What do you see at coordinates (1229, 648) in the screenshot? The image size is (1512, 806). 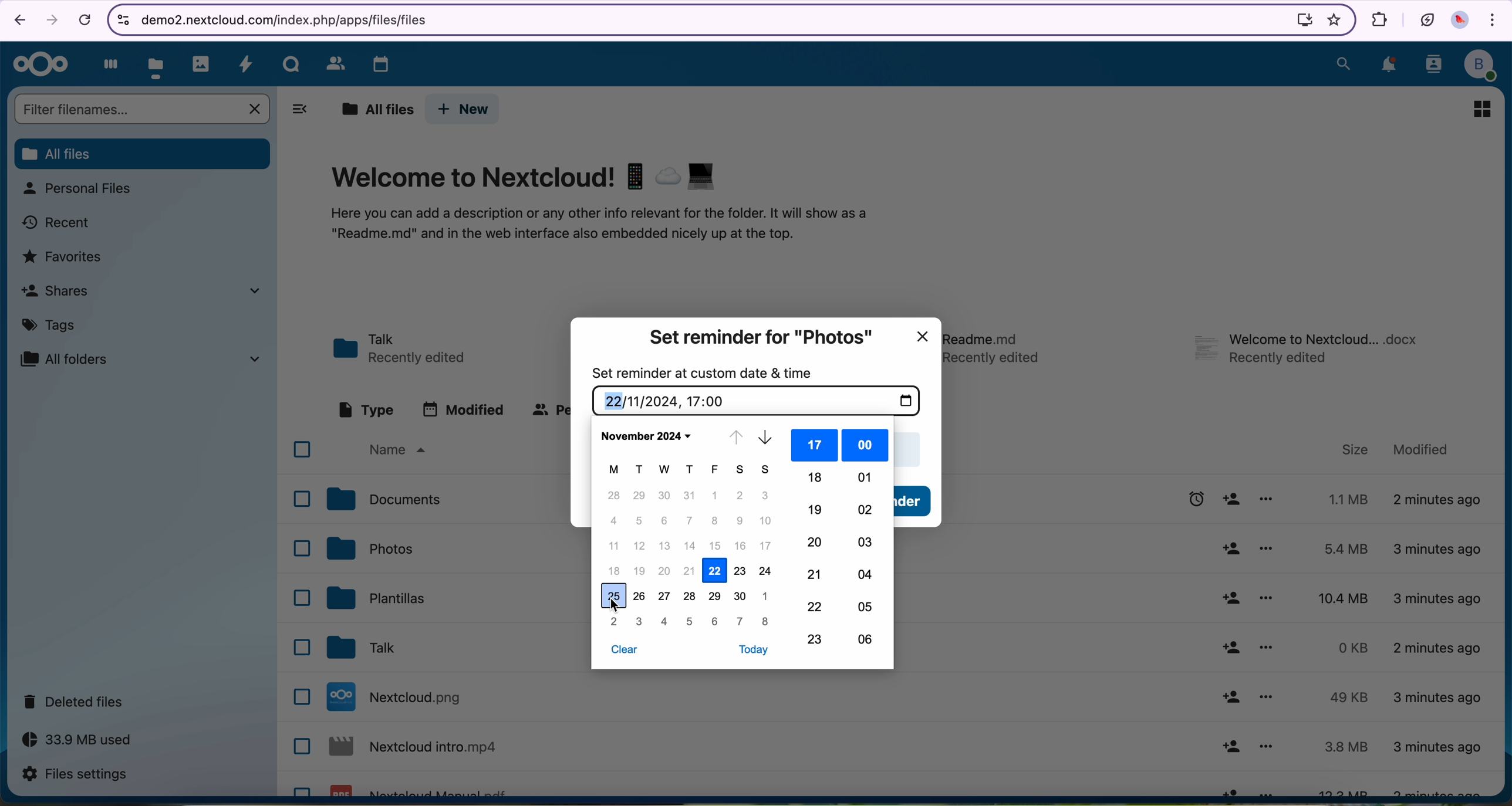 I see `share` at bounding box center [1229, 648].